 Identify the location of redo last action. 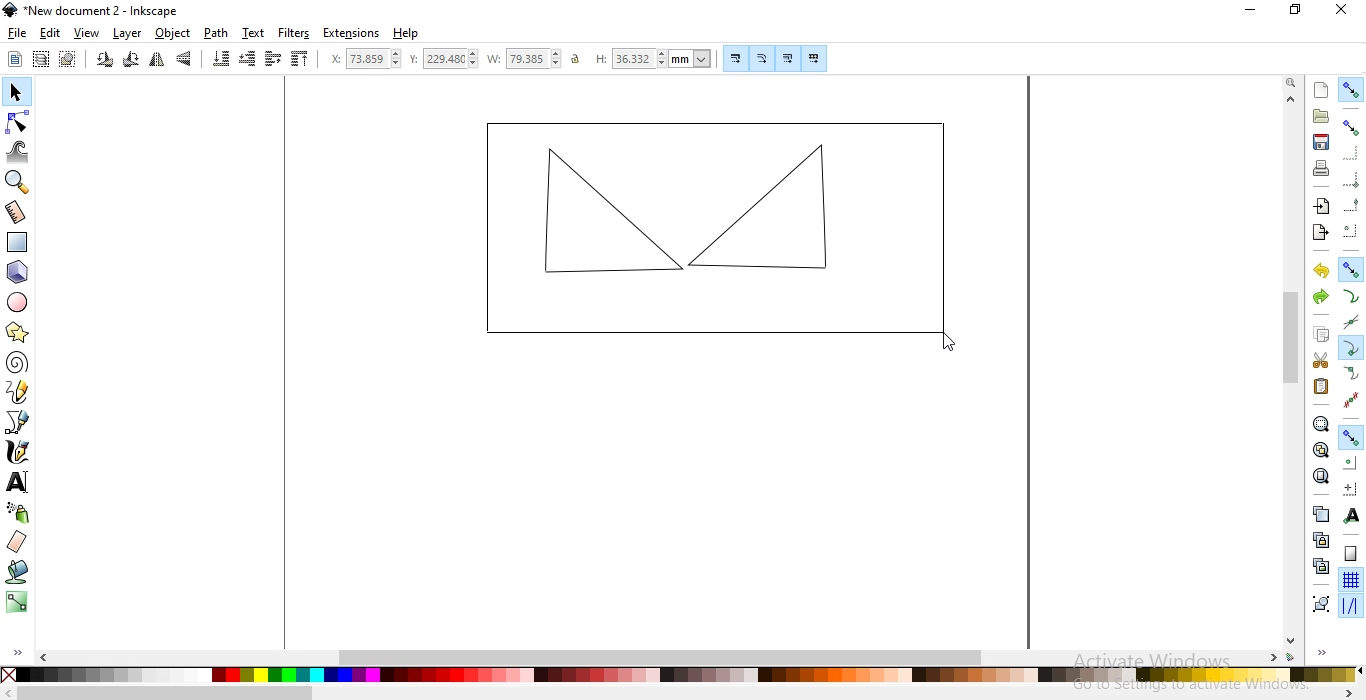
(1320, 298).